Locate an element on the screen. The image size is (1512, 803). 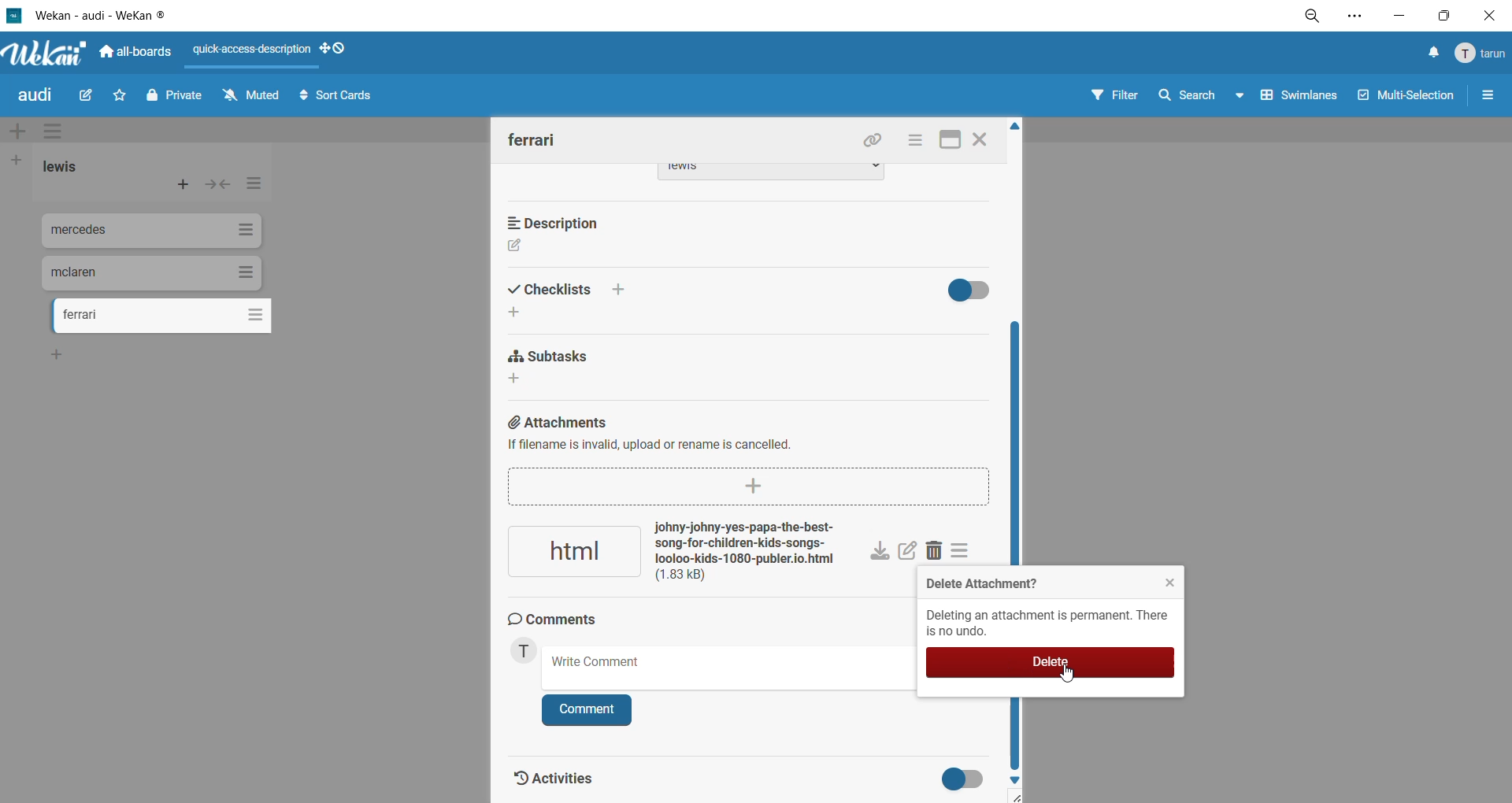
subtasks is located at coordinates (552, 358).